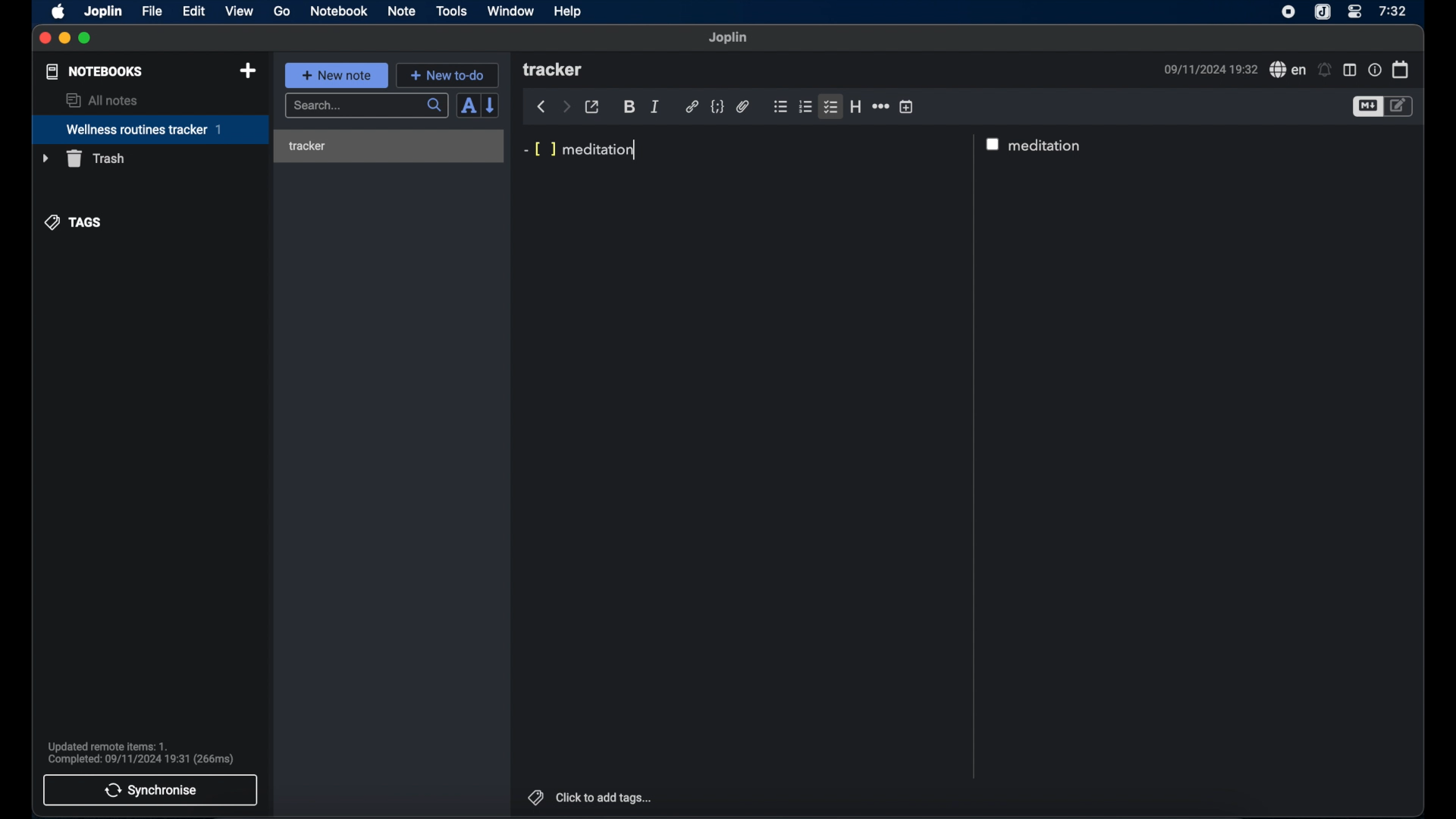  I want to click on numbered list, so click(806, 107).